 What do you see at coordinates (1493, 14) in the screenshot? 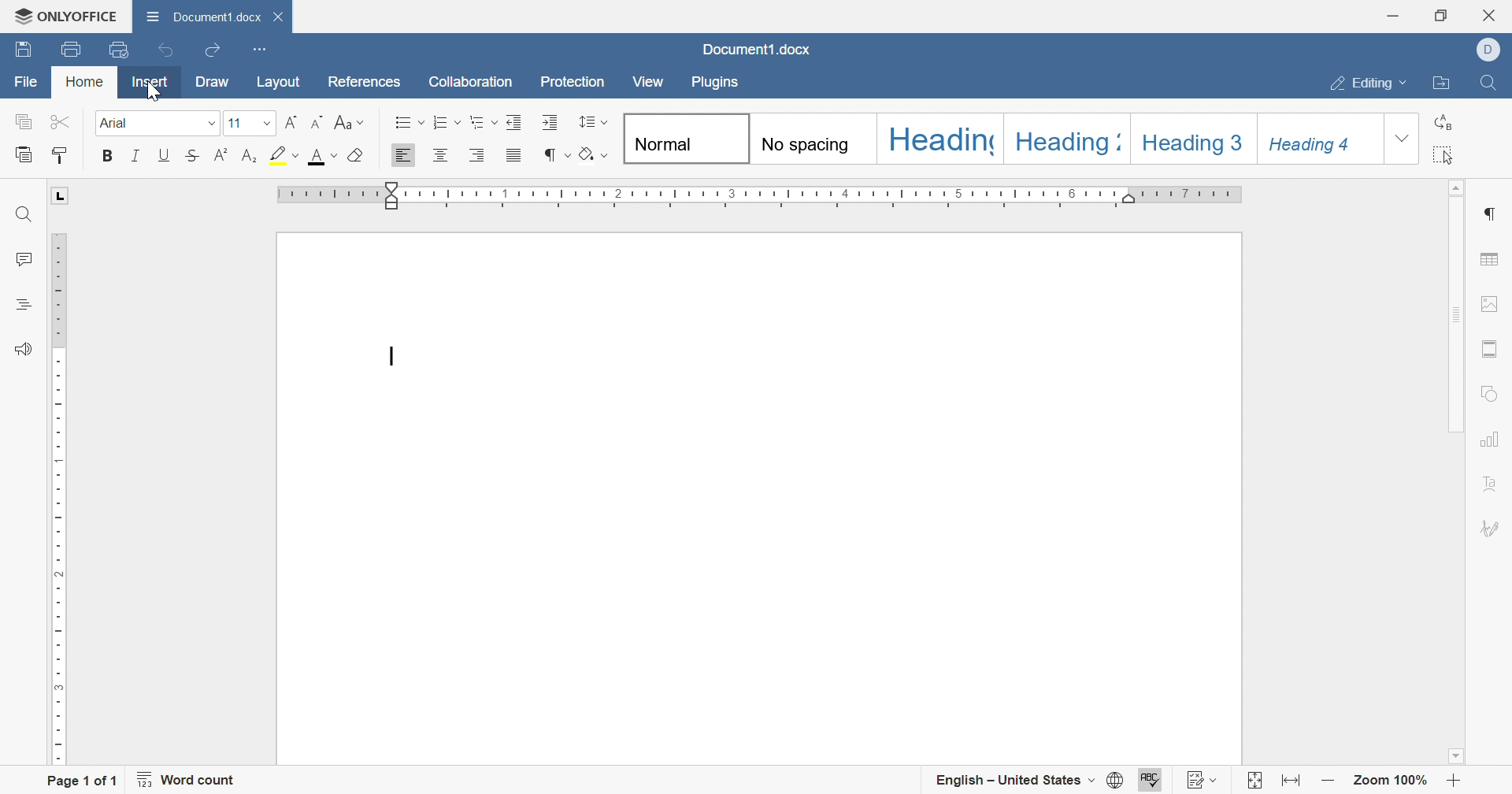
I see `Close` at bounding box center [1493, 14].